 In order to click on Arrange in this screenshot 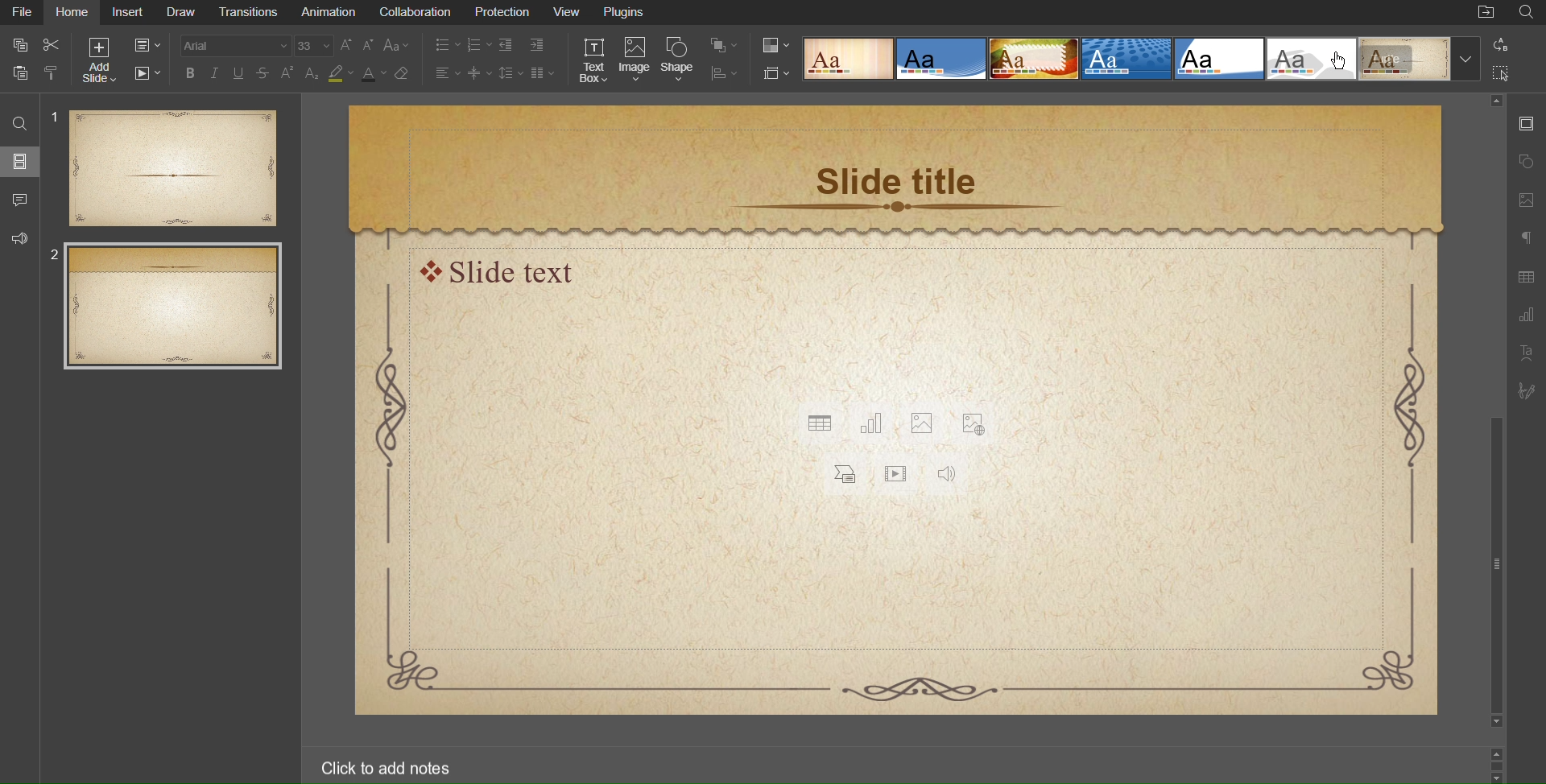, I will do `click(721, 45)`.